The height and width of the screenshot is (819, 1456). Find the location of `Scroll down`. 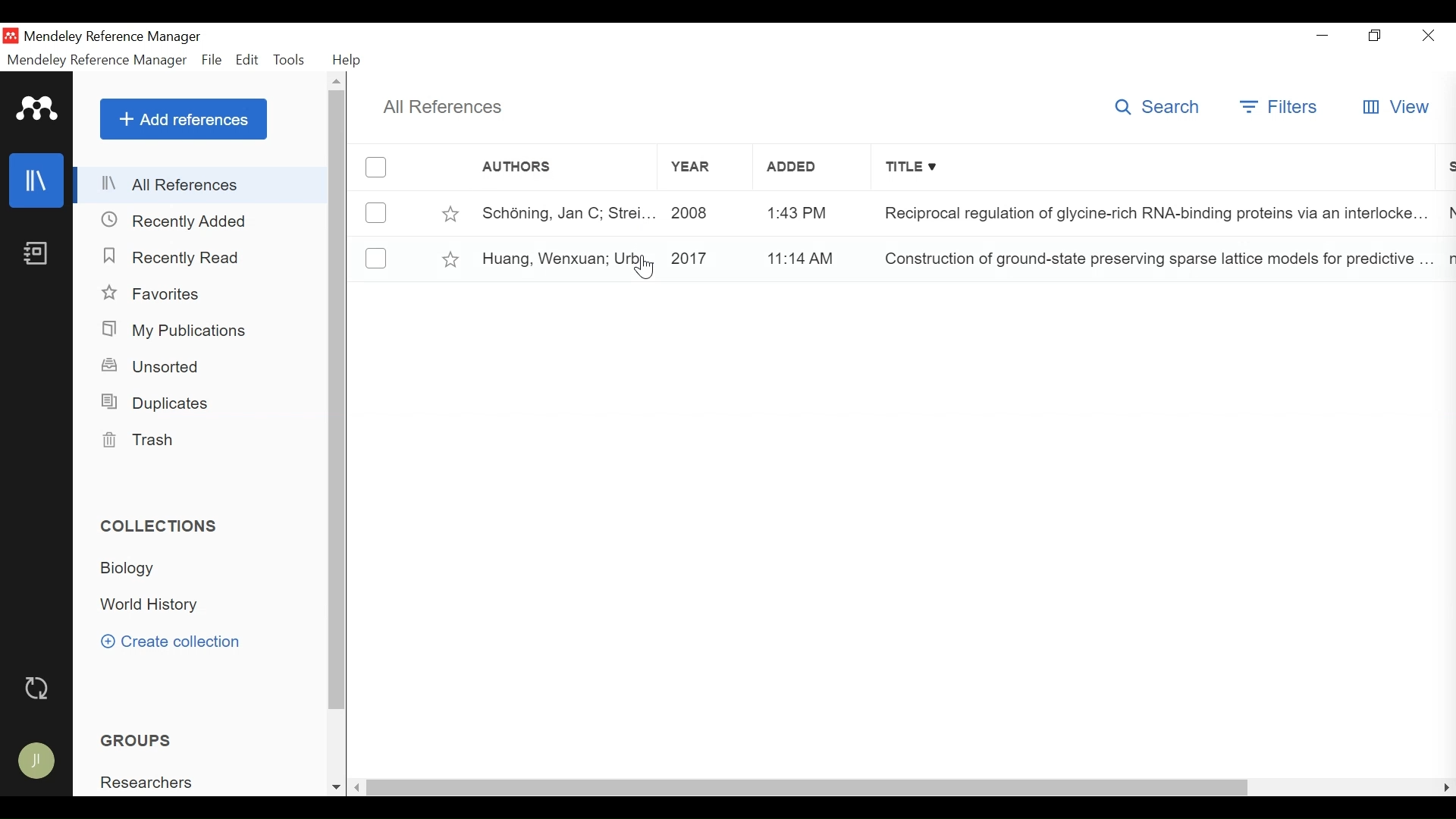

Scroll down is located at coordinates (336, 789).